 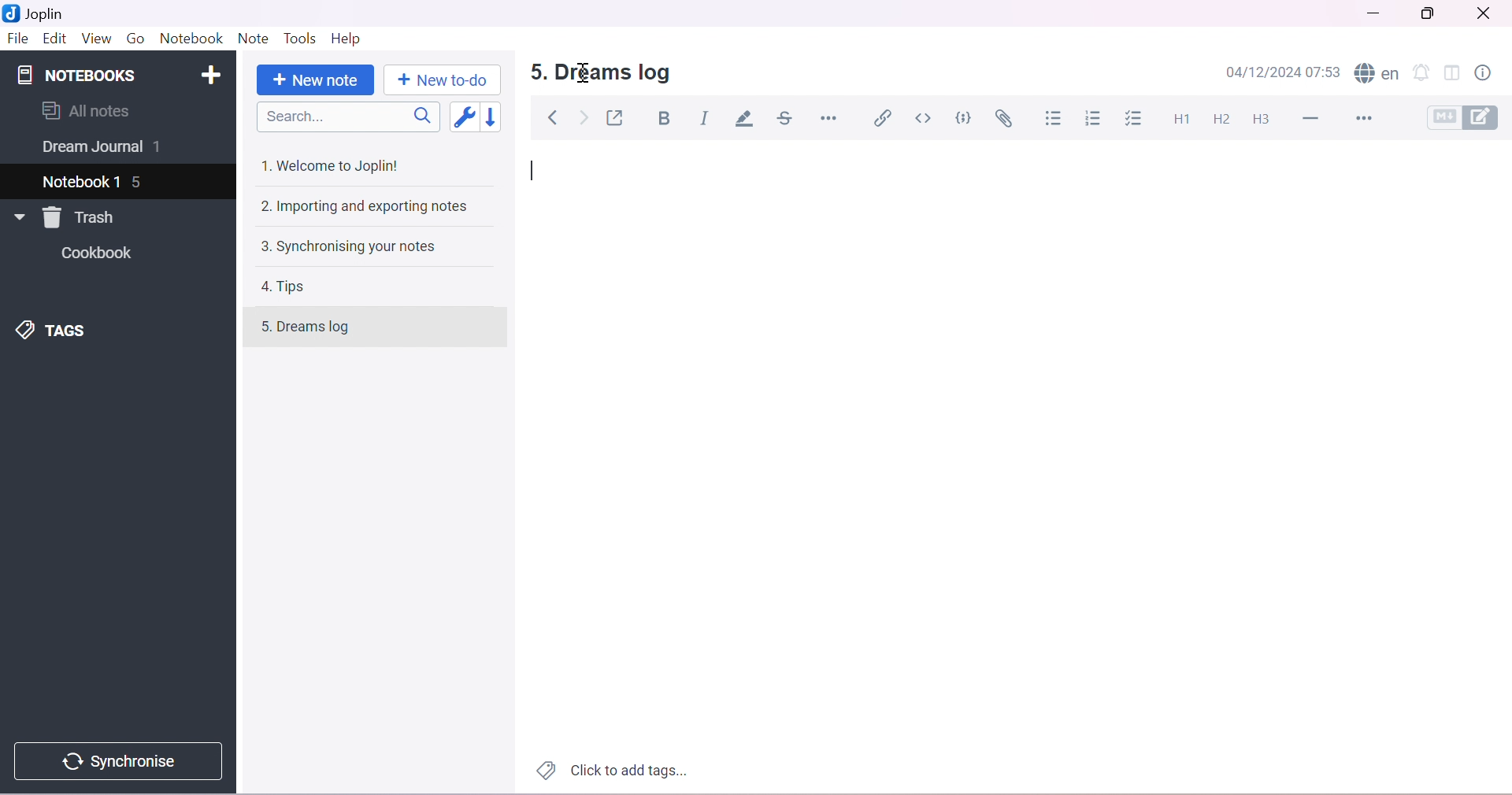 I want to click on New to-do, so click(x=441, y=80).